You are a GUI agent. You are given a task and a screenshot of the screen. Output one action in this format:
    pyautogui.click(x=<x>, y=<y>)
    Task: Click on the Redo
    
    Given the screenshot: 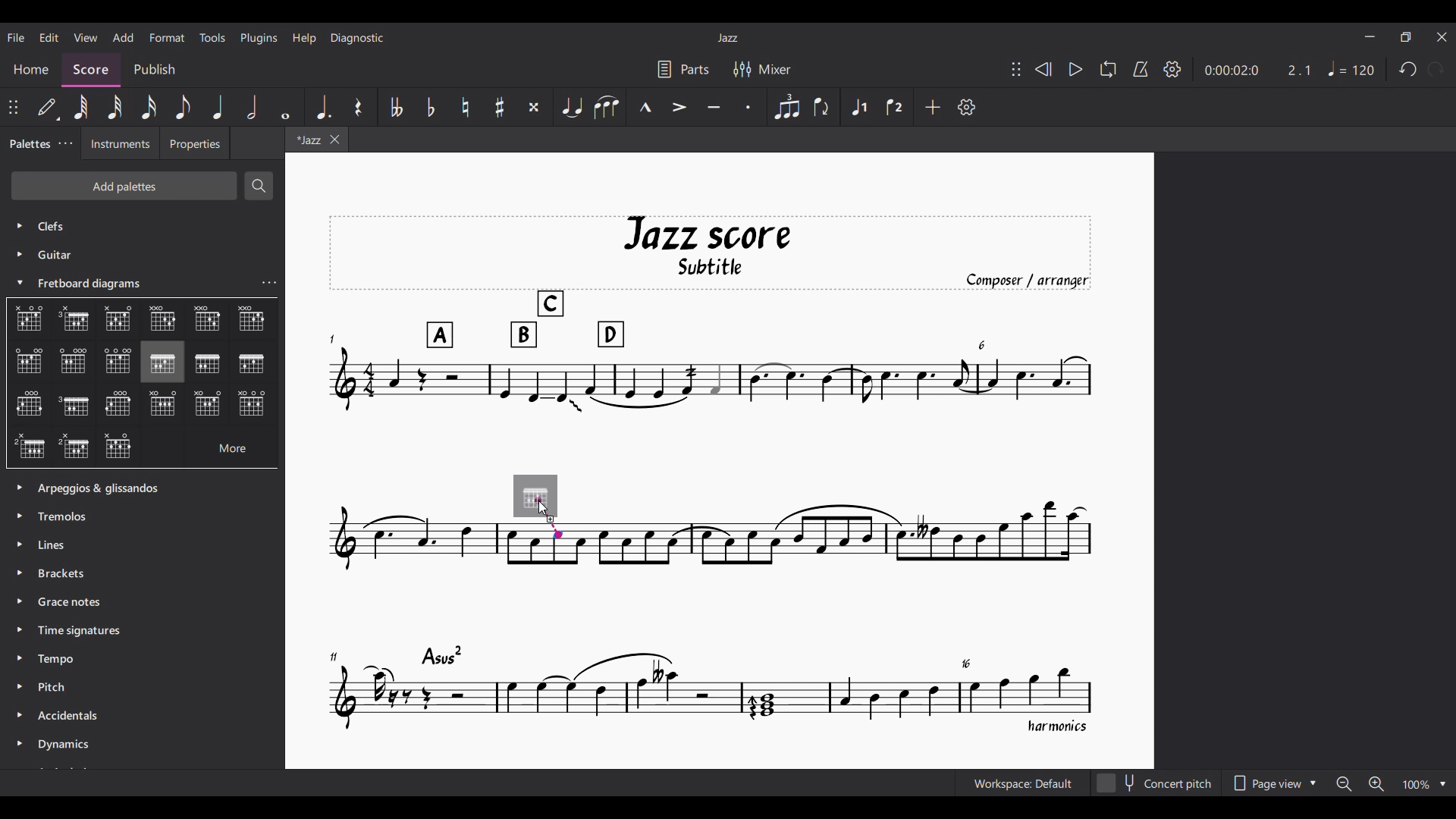 What is the action you would take?
    pyautogui.click(x=1437, y=69)
    